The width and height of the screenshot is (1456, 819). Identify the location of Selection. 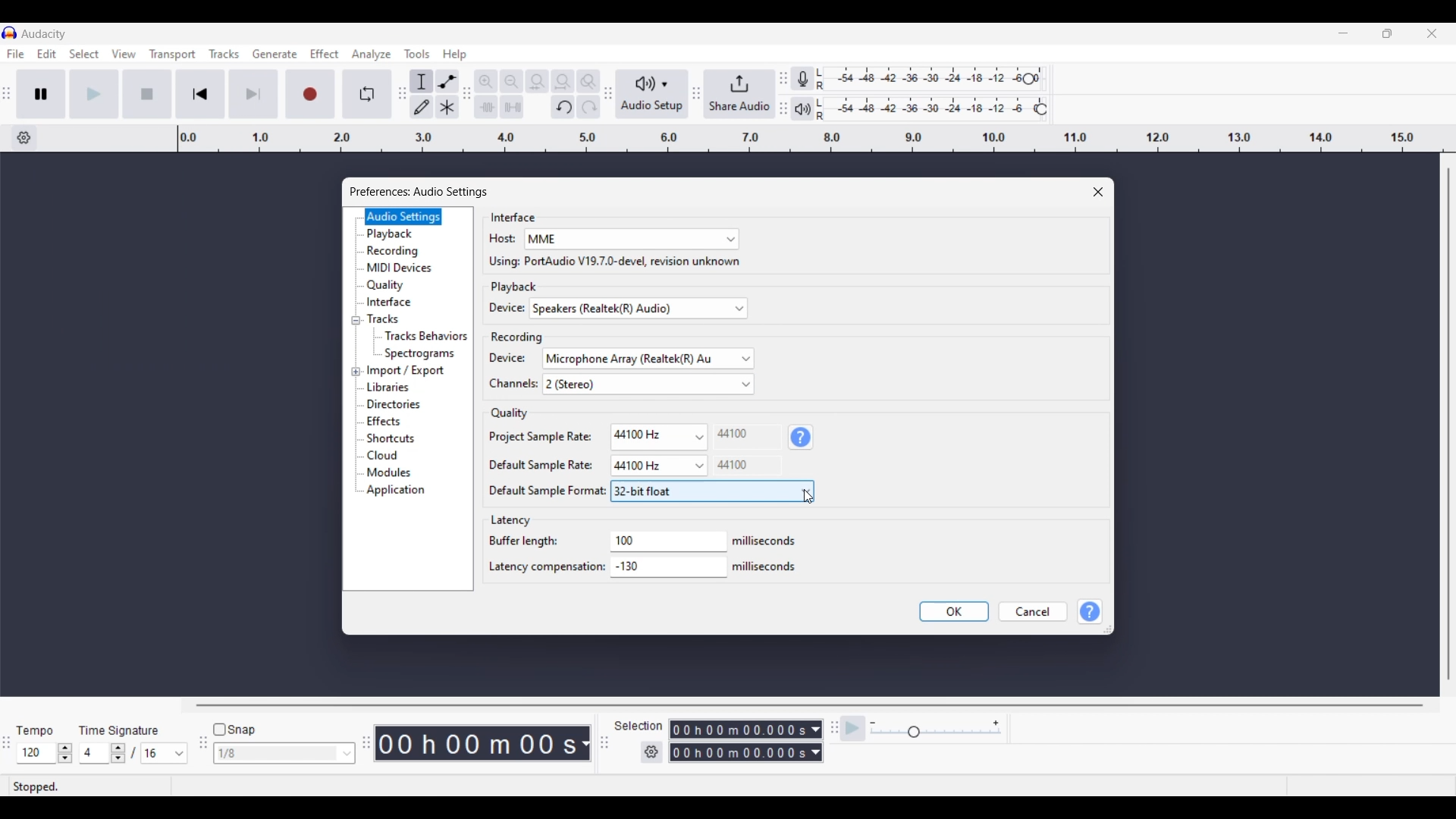
(637, 726).